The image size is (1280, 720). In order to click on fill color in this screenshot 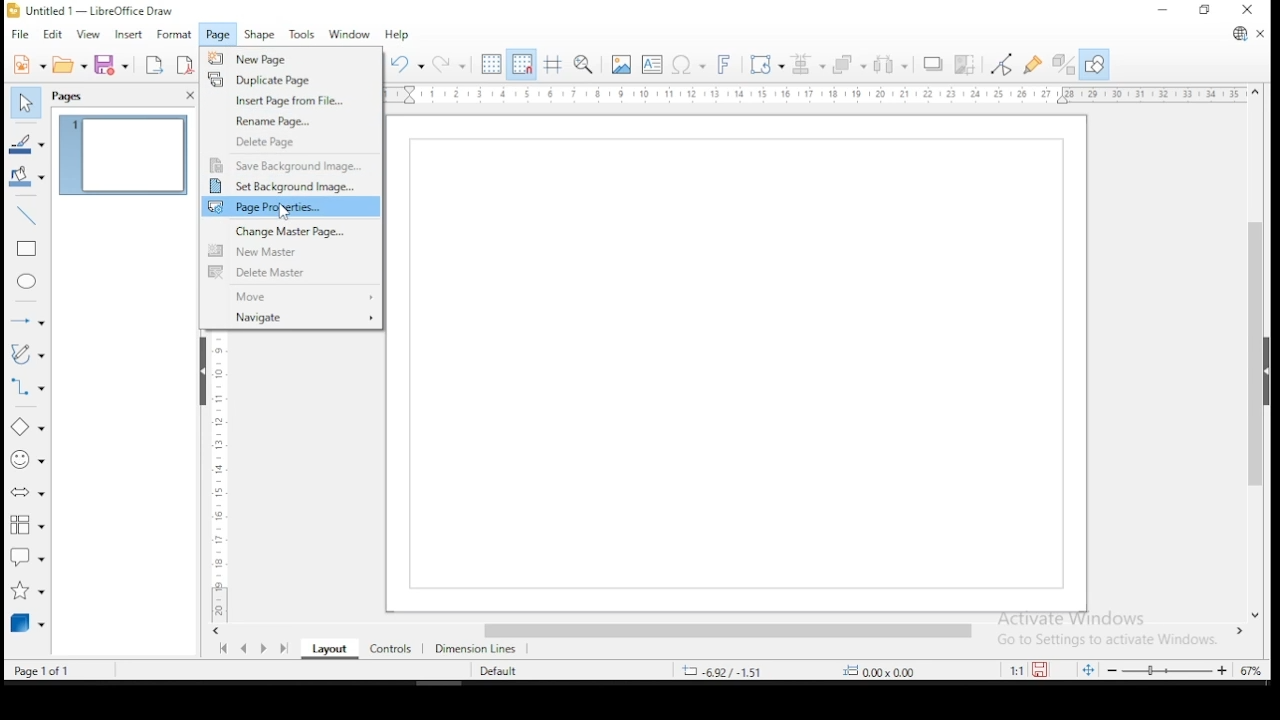, I will do `click(27, 177)`.